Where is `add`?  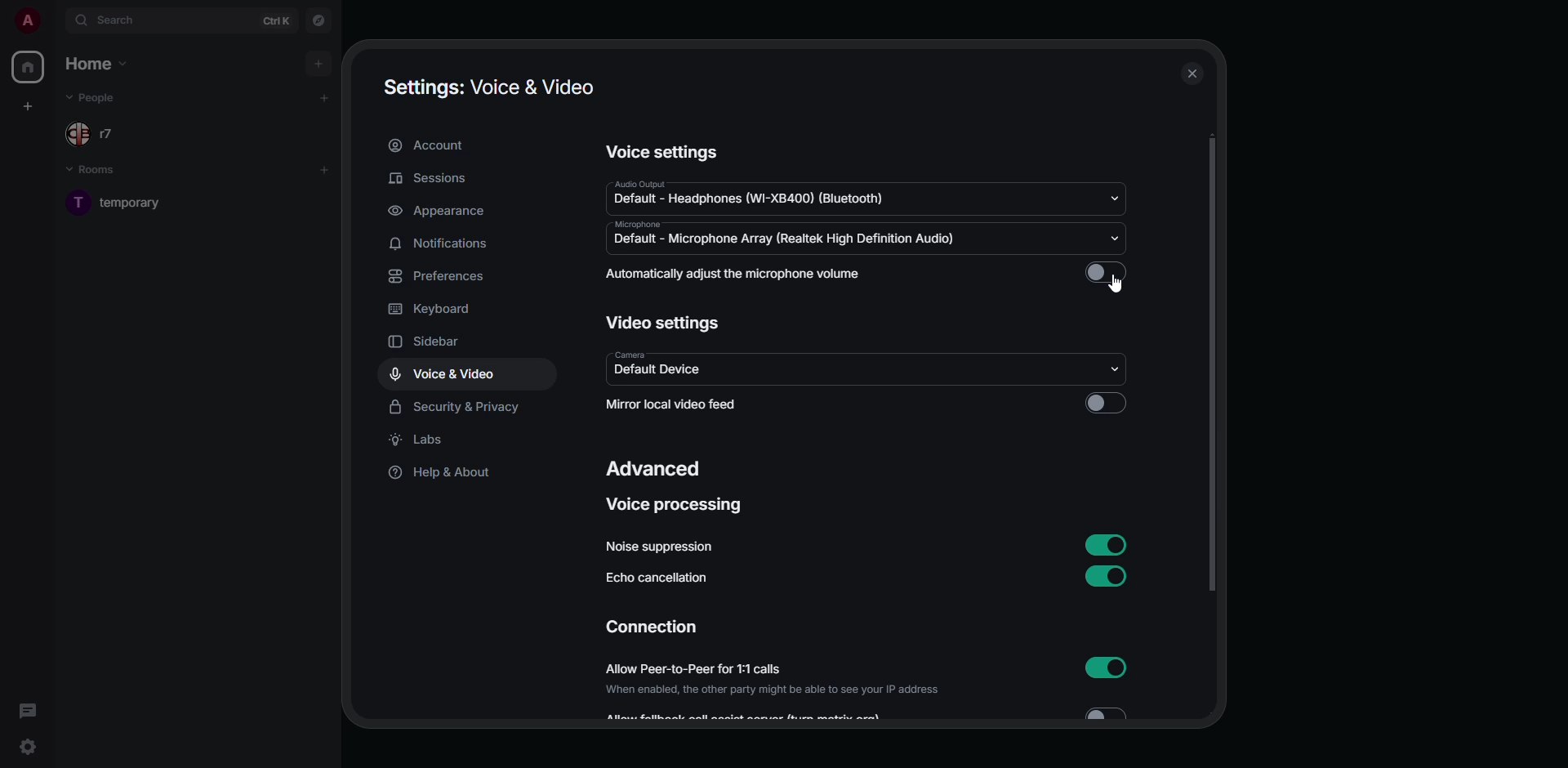
add is located at coordinates (321, 63).